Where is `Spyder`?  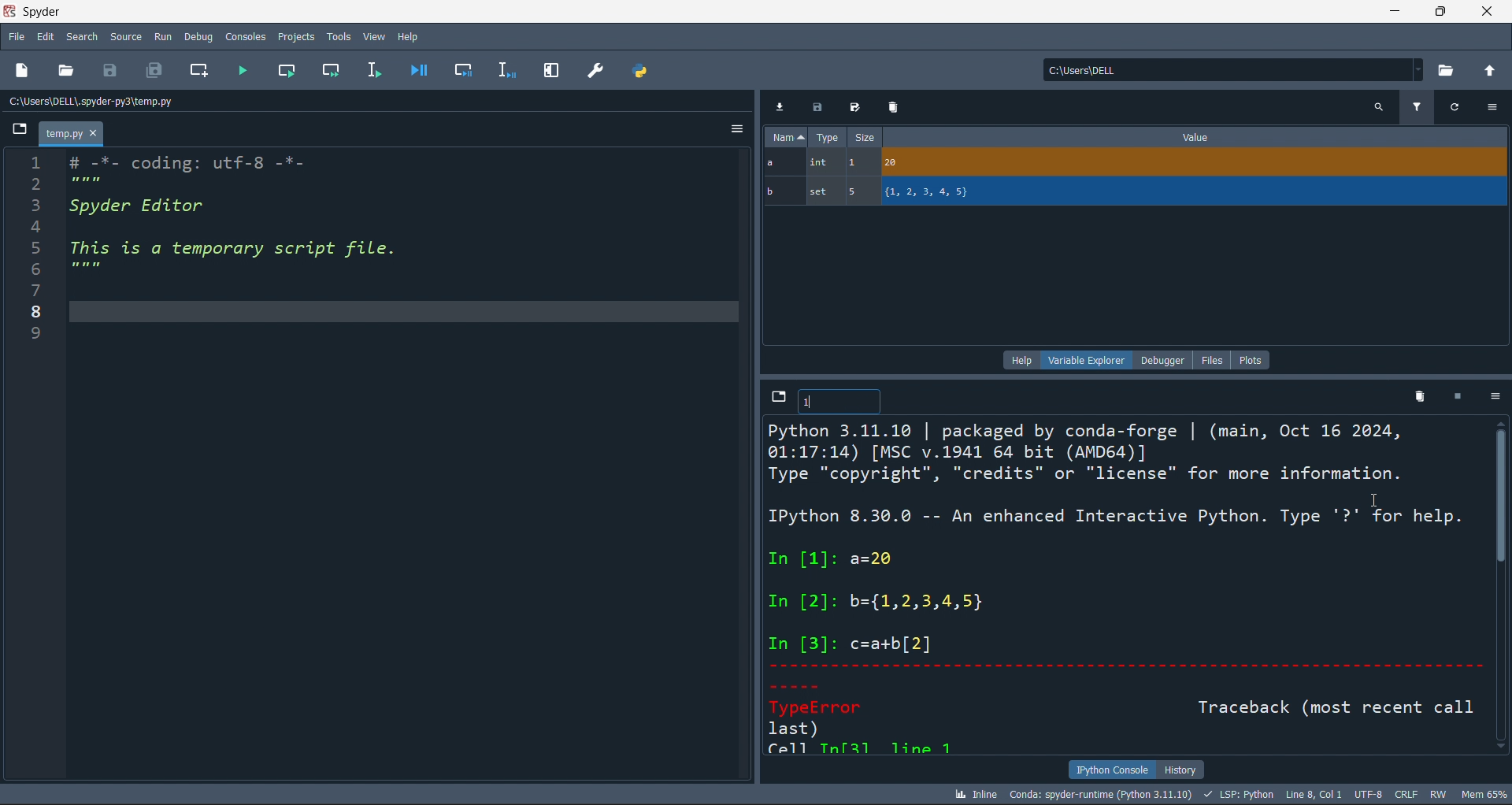 Spyder is located at coordinates (86, 12).